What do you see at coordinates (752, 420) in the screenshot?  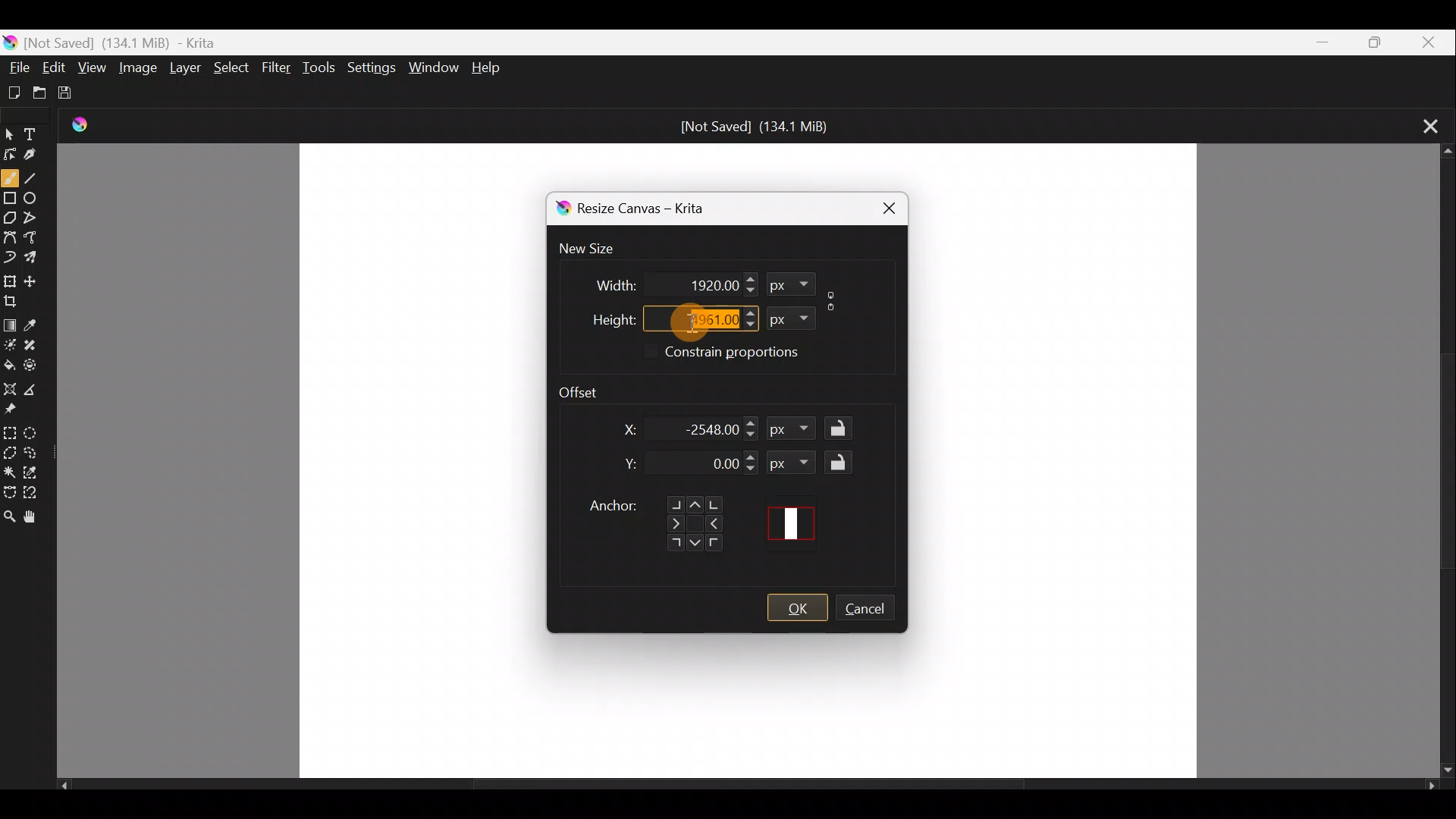 I see `Increase X dimension` at bounding box center [752, 420].